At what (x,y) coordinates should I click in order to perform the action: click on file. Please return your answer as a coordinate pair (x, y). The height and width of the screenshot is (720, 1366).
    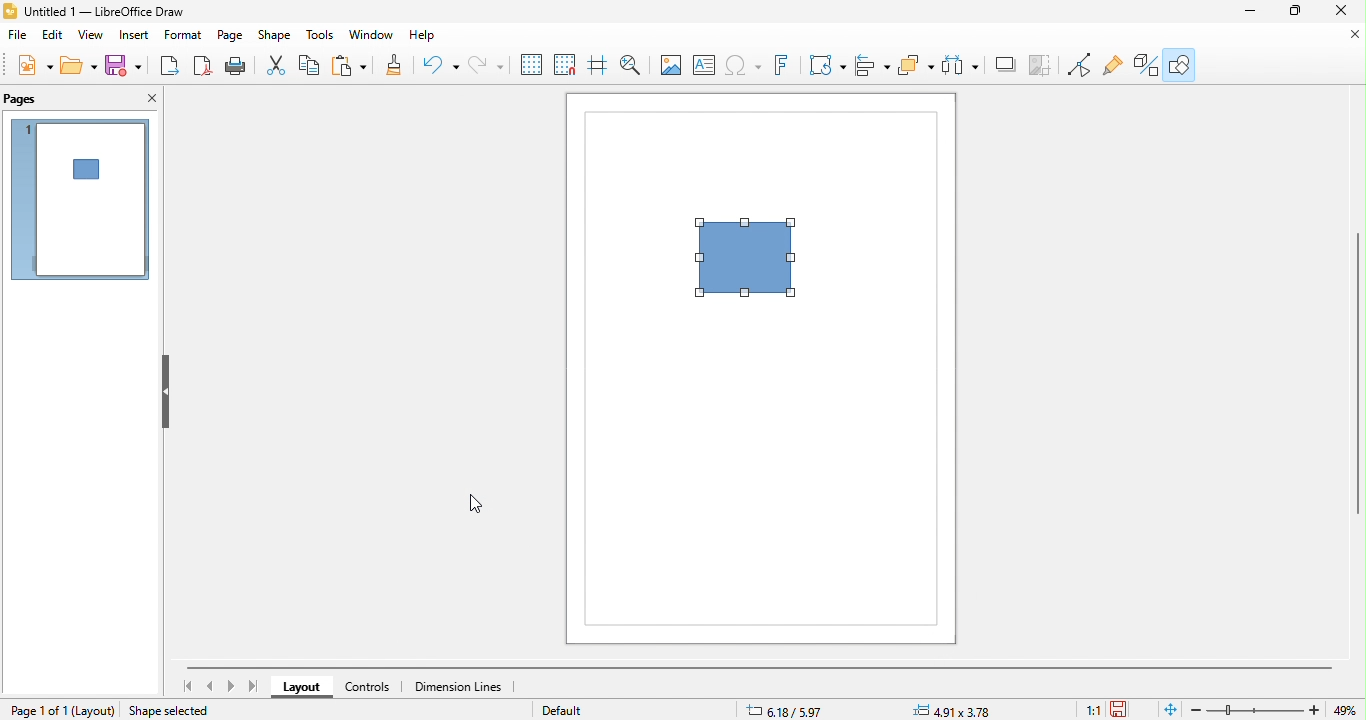
    Looking at the image, I should click on (17, 35).